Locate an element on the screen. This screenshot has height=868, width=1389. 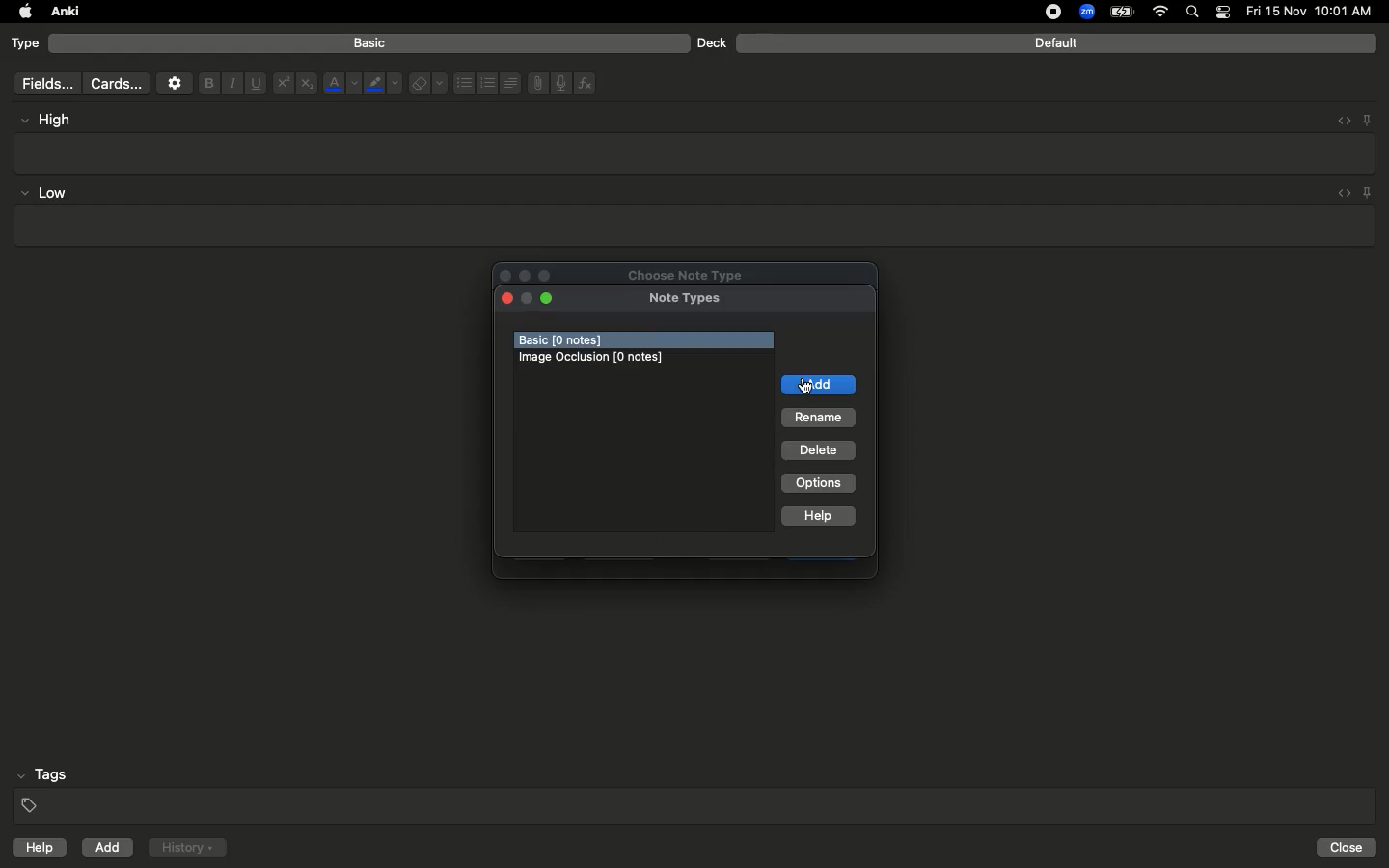
Font color is located at coordinates (340, 83).